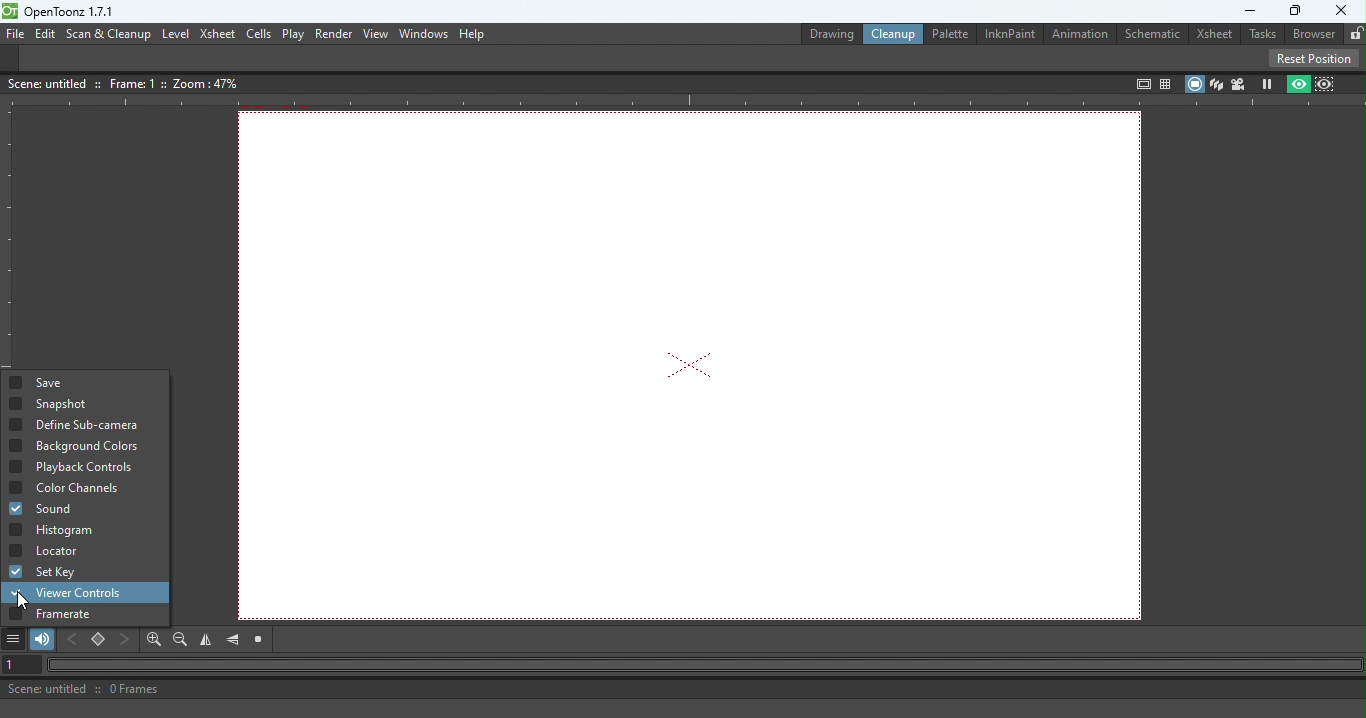 The image size is (1366, 718). Describe the element at coordinates (76, 640) in the screenshot. I see `Previous key` at that location.